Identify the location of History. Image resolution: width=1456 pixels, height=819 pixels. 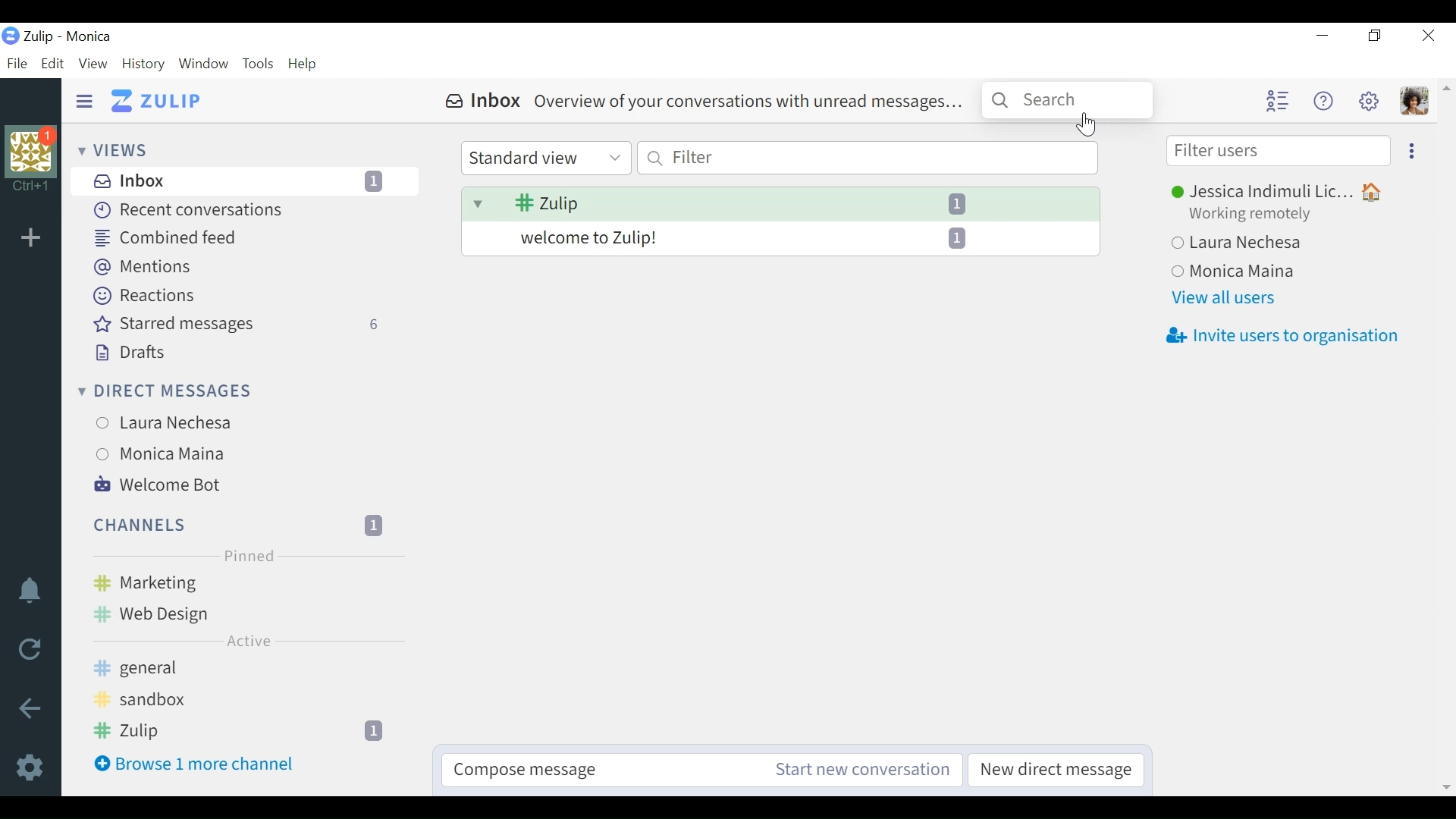
(143, 64).